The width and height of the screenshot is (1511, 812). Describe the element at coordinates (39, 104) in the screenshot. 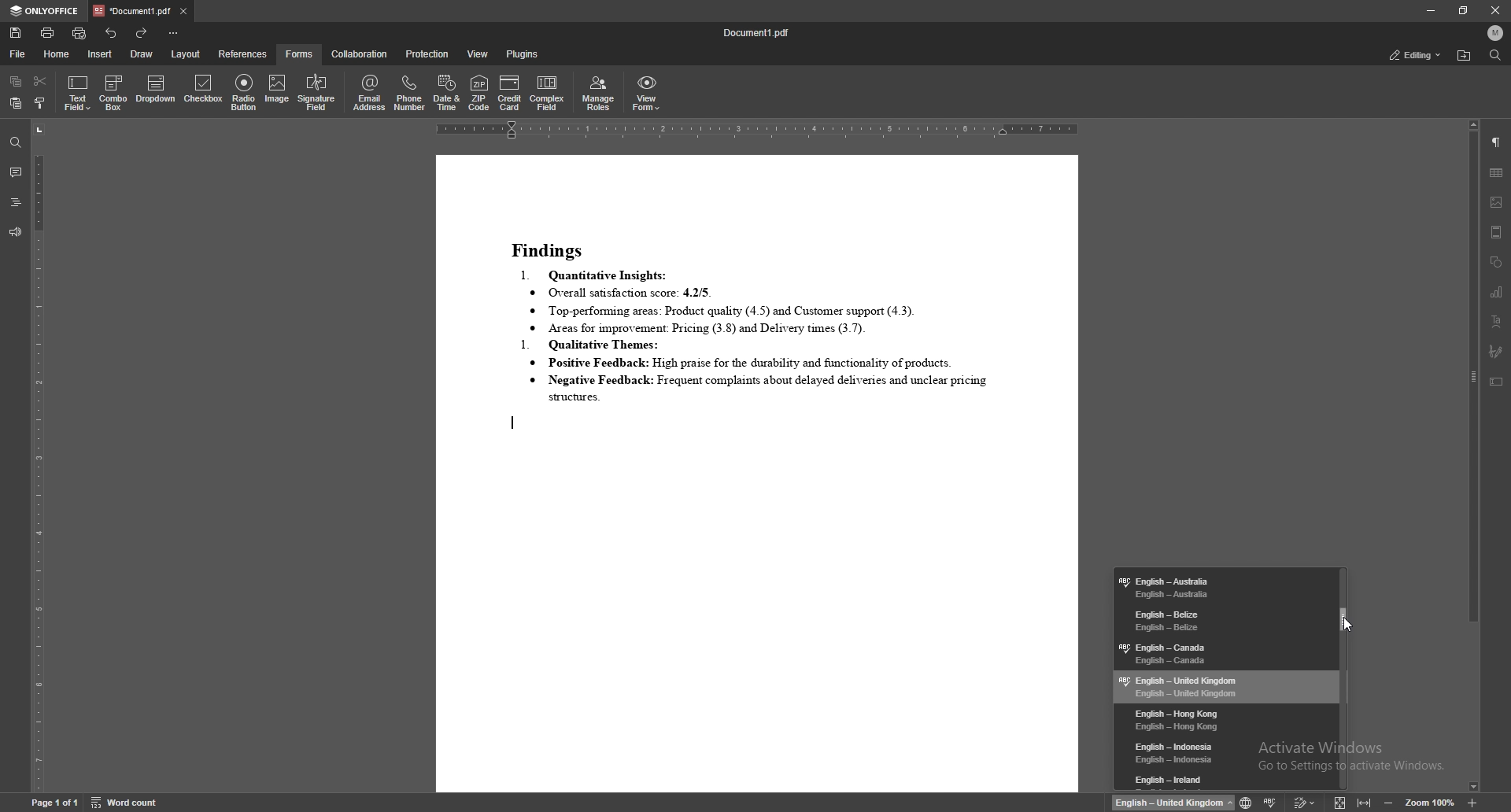

I see `copy style` at that location.